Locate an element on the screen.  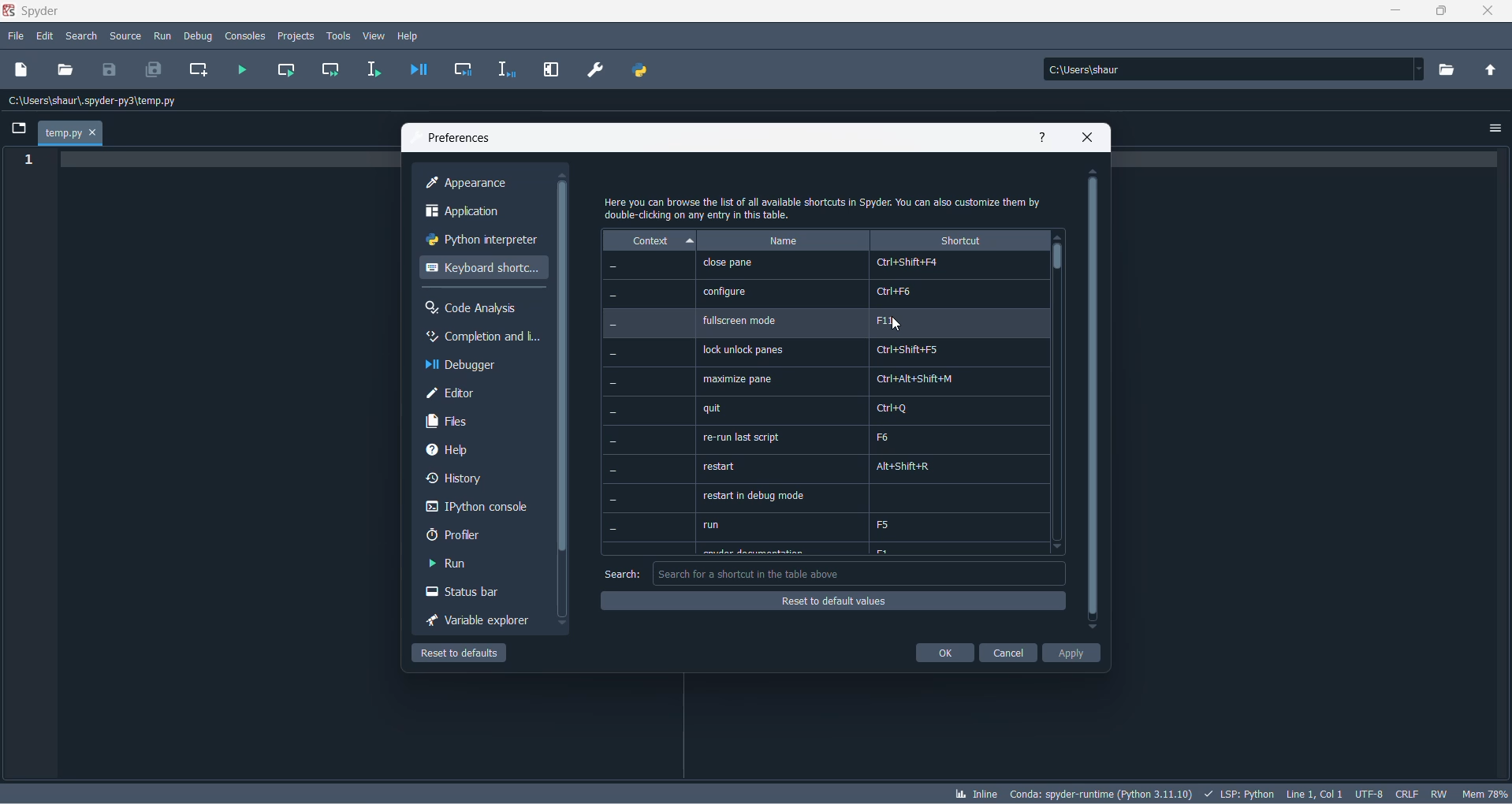
help is located at coordinates (473, 449).